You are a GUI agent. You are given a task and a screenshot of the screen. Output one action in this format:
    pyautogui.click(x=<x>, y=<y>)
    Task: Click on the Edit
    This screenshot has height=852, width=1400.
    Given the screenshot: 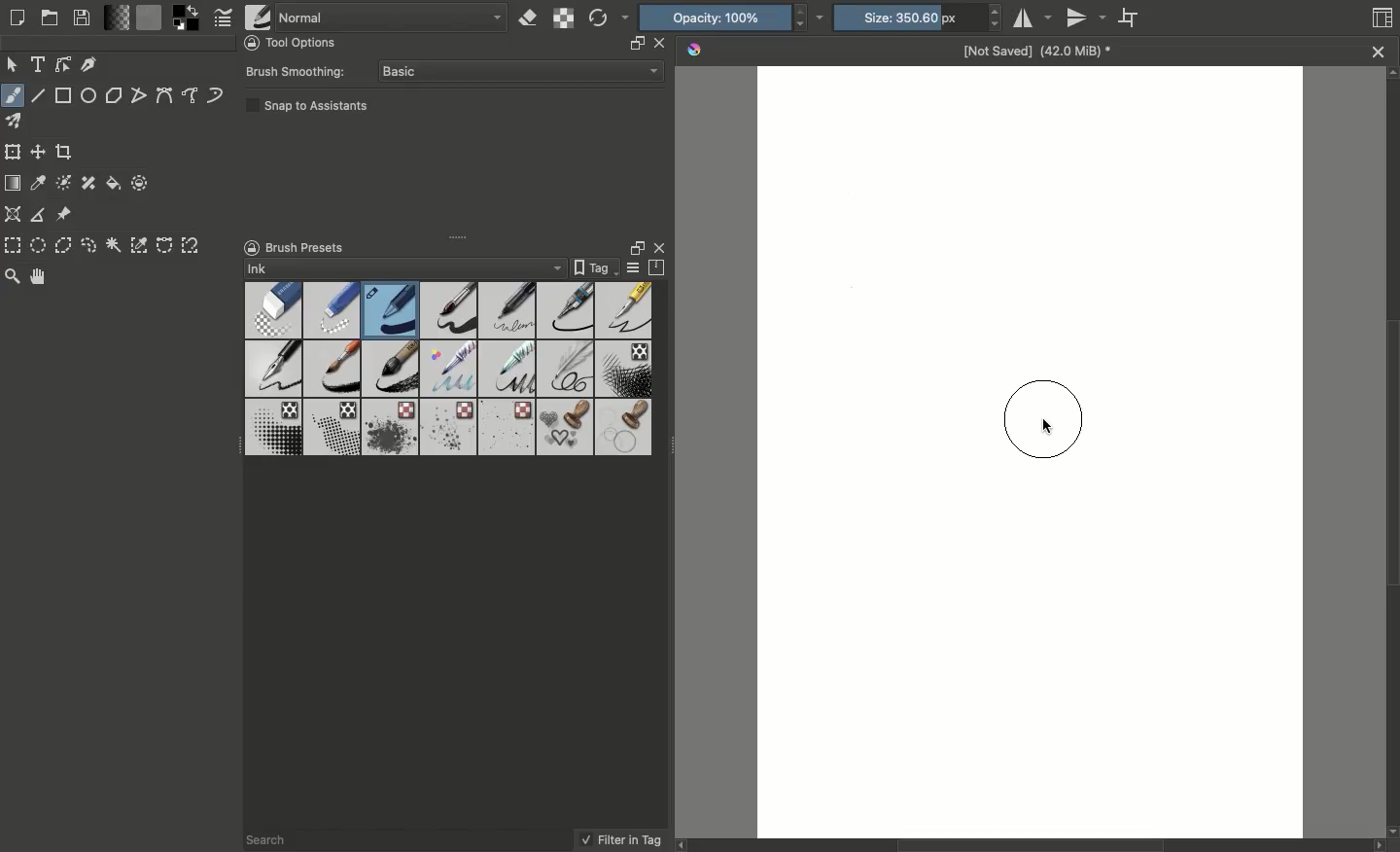 What is the action you would take?
    pyautogui.click(x=63, y=66)
    